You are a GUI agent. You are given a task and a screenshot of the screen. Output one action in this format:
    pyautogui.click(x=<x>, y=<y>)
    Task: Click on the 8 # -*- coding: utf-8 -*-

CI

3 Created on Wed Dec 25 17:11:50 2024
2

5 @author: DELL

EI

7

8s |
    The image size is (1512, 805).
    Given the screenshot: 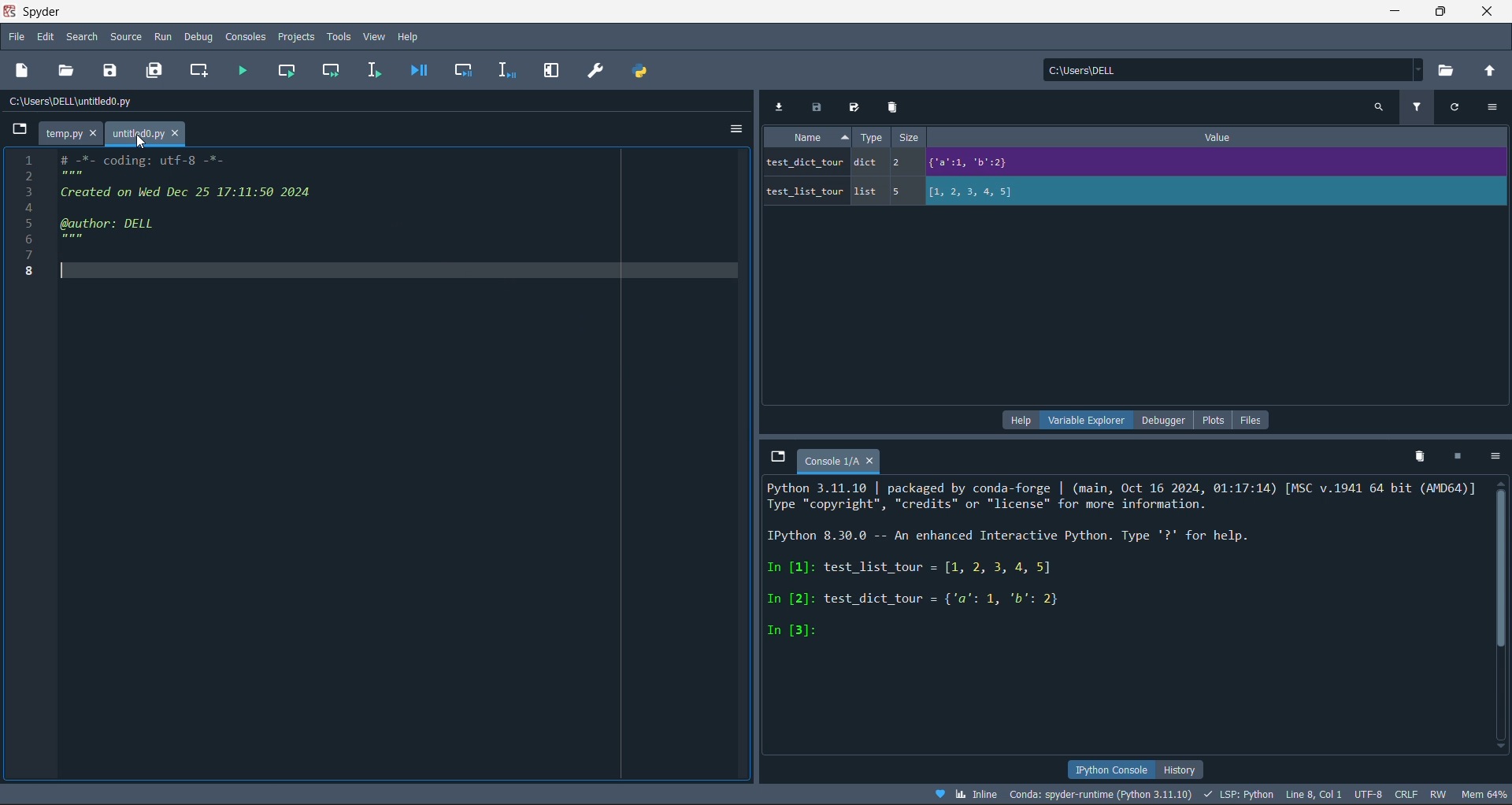 What is the action you would take?
    pyautogui.click(x=173, y=212)
    